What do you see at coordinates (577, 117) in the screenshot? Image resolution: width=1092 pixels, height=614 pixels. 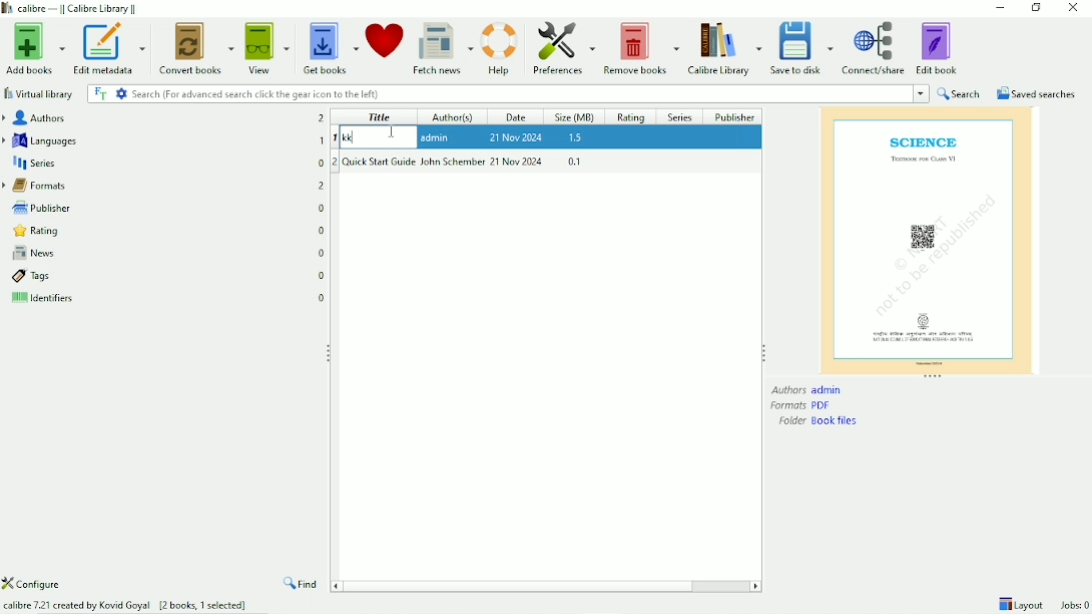 I see `Size` at bounding box center [577, 117].